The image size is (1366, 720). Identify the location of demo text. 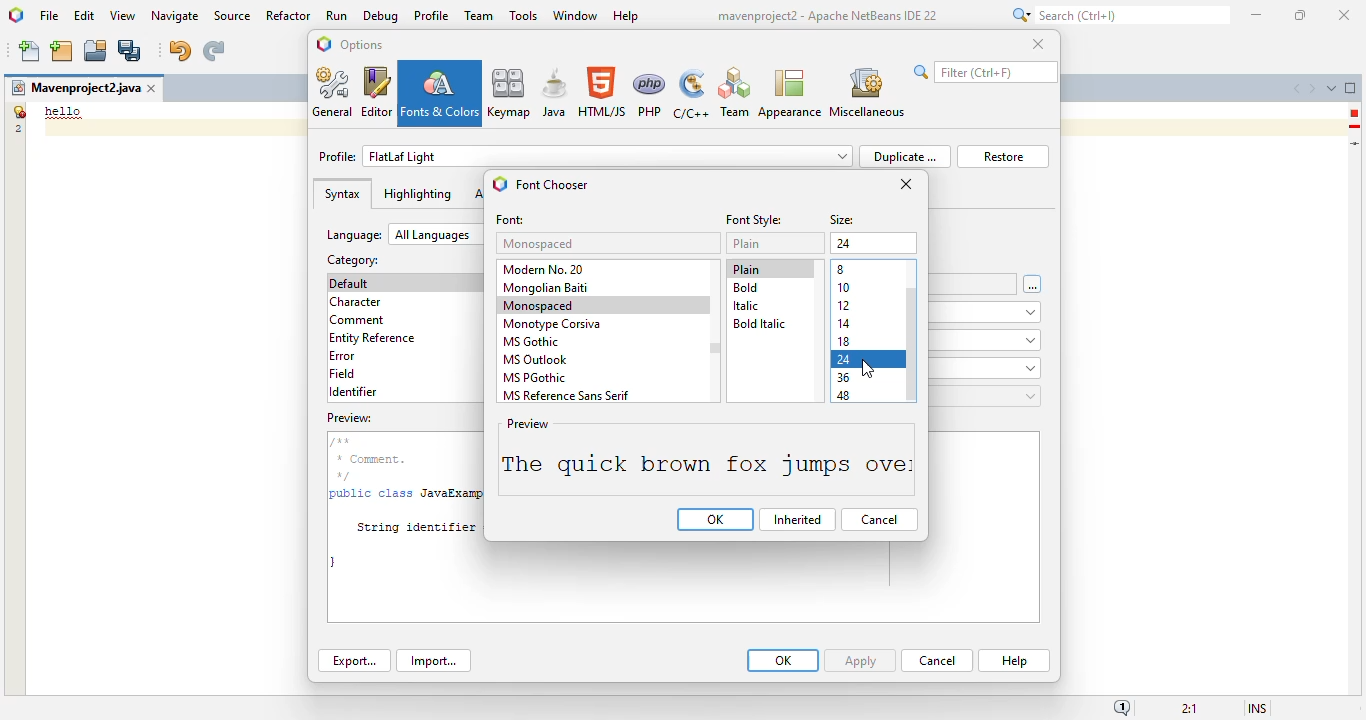
(64, 111).